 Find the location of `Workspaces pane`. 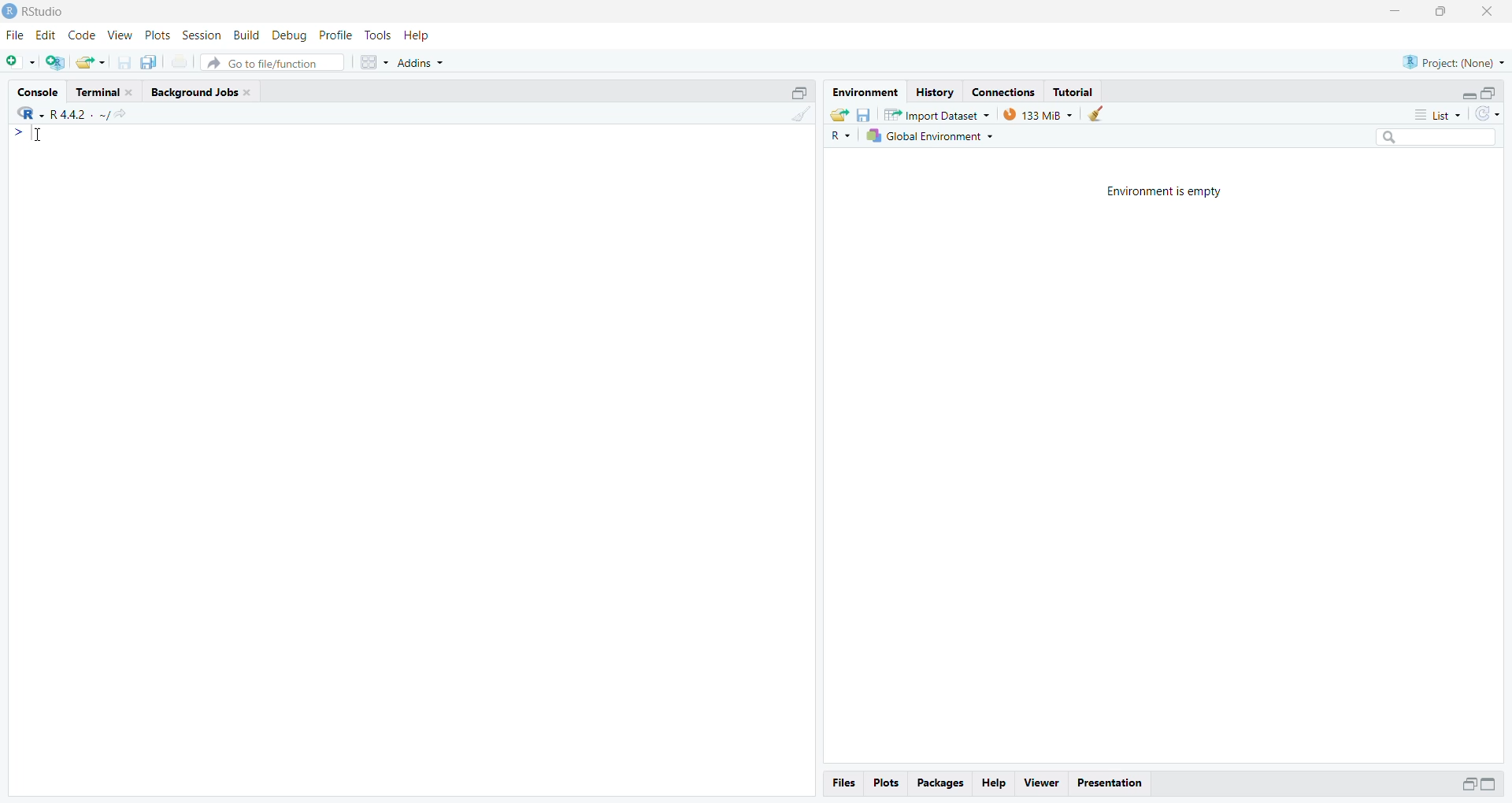

Workspaces pane is located at coordinates (375, 62).